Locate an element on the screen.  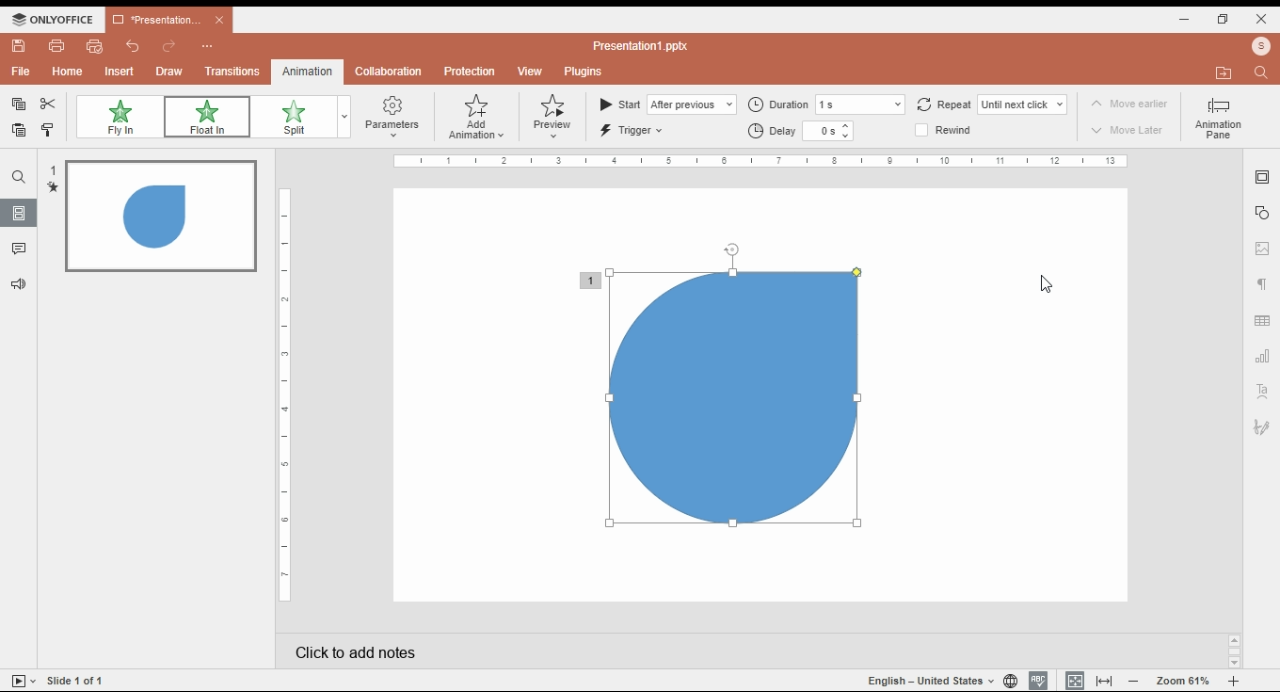
view is located at coordinates (529, 72).